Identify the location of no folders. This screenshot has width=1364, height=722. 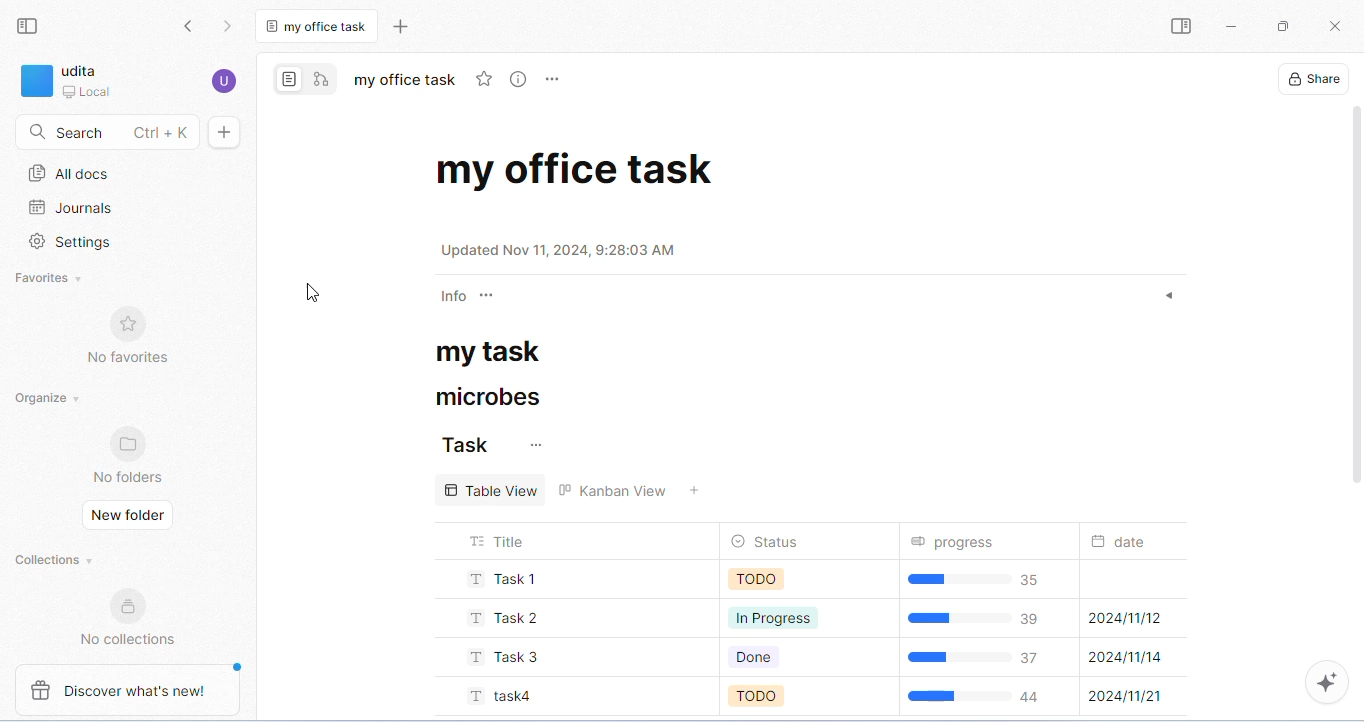
(133, 455).